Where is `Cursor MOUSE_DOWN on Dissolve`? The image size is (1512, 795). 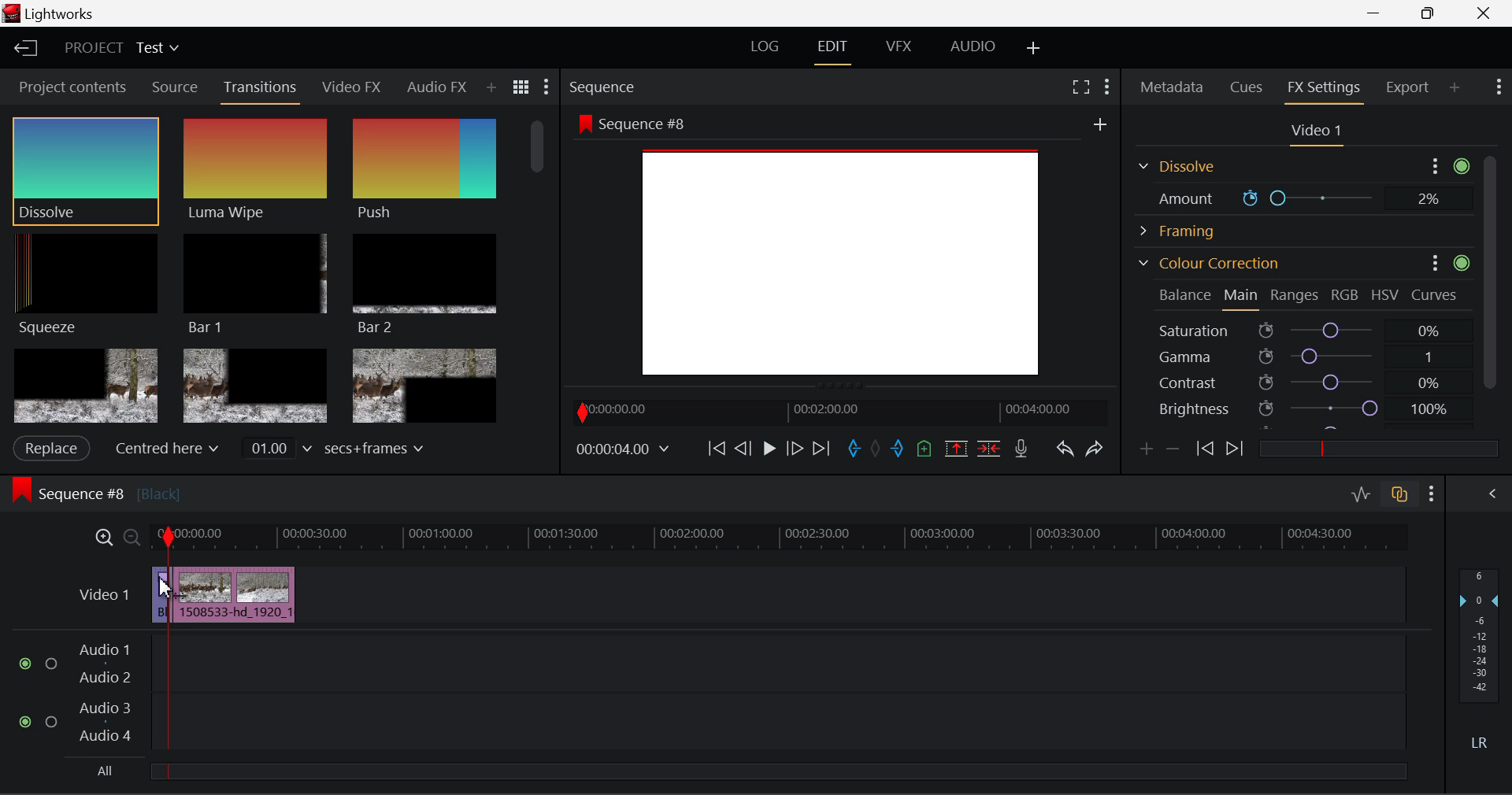
Cursor MOUSE_DOWN on Dissolve is located at coordinates (85, 170).